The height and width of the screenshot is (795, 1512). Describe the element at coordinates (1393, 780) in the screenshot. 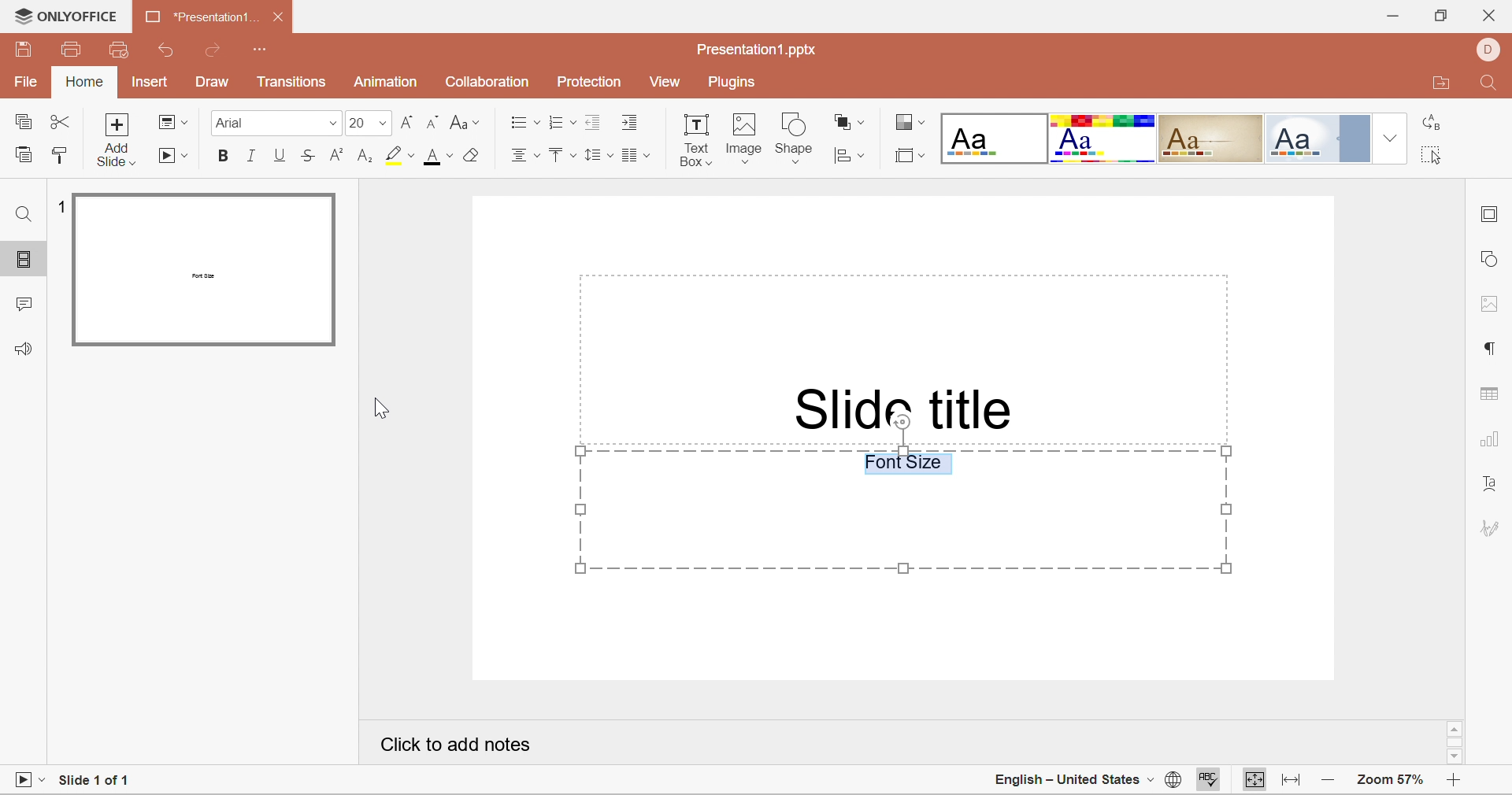

I see `Zoom 57%` at that location.